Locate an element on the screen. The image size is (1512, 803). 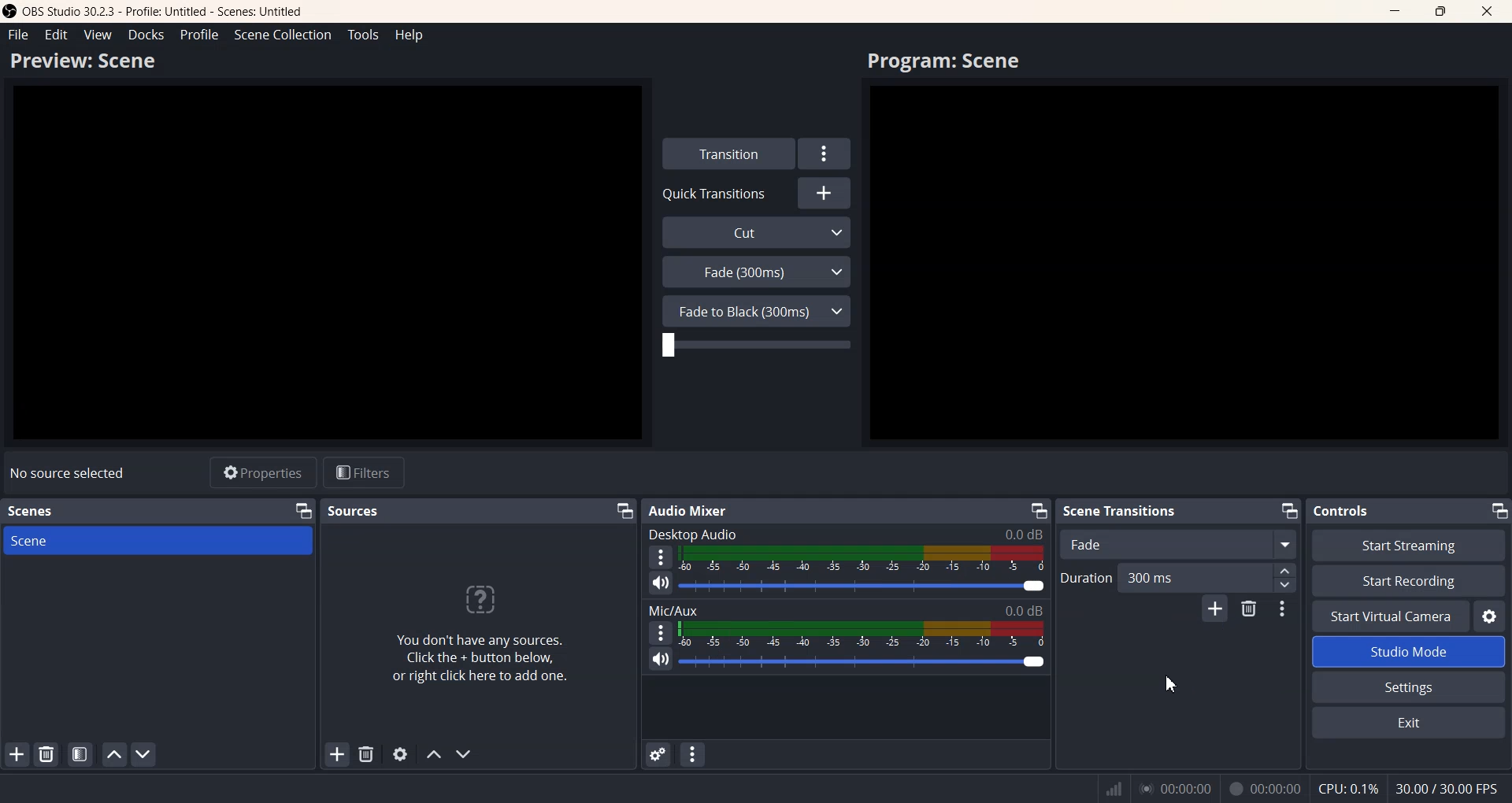
Settings is located at coordinates (825, 154).